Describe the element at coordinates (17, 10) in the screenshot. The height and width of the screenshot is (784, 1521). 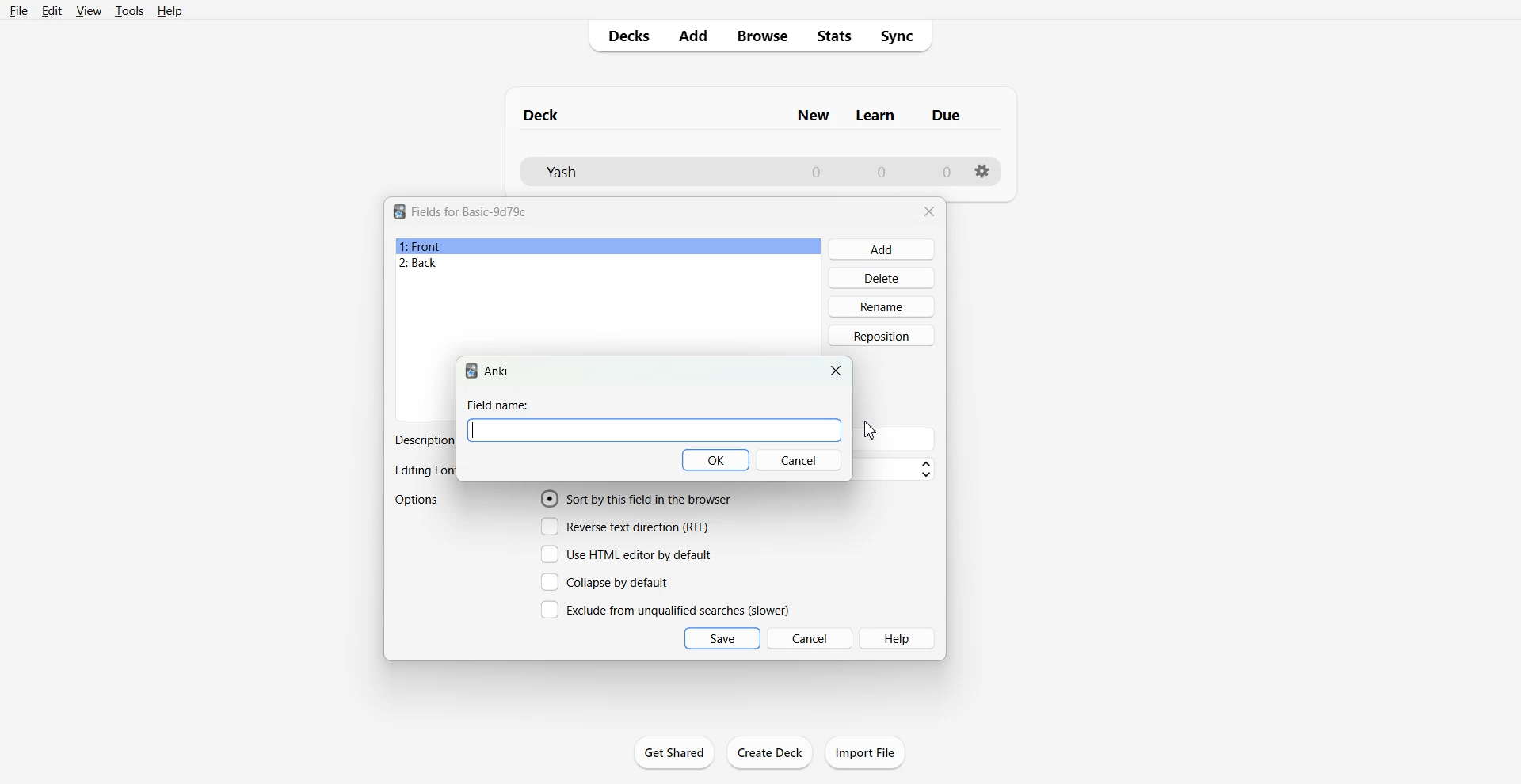
I see `File` at that location.